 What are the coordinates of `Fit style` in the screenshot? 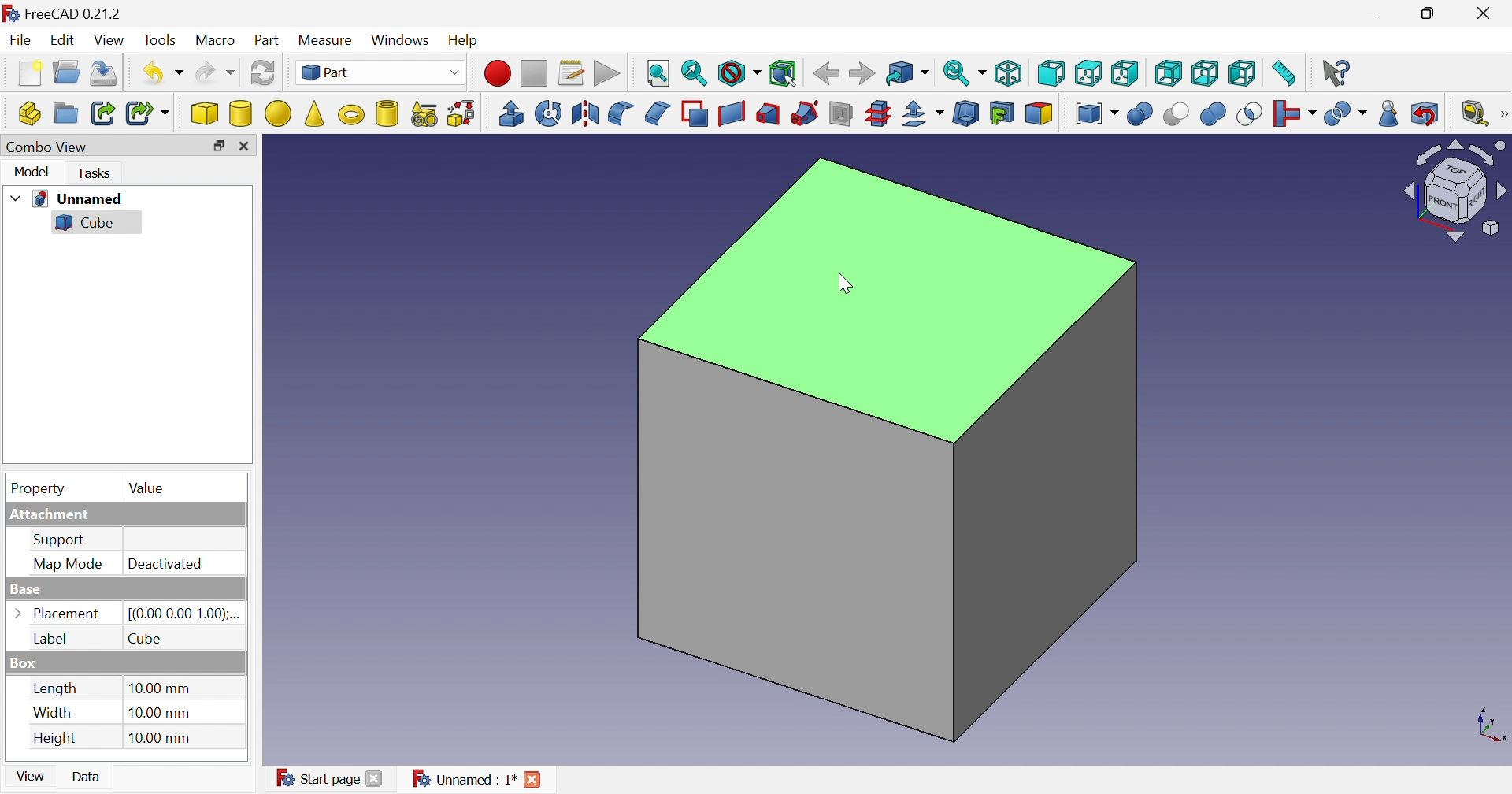 It's located at (659, 74).